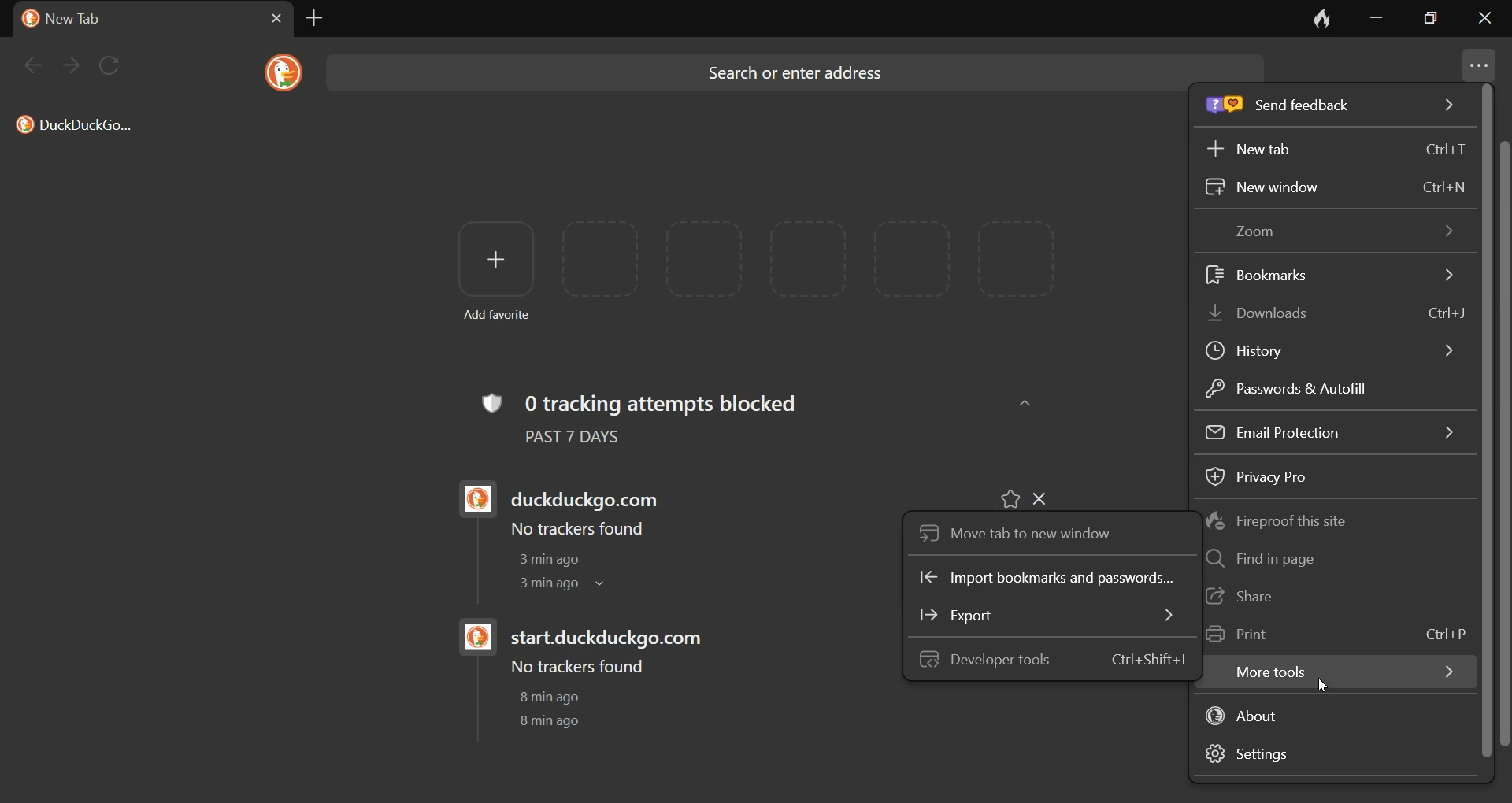 The image size is (1512, 803). What do you see at coordinates (552, 698) in the screenshot?
I see `8 min ago` at bounding box center [552, 698].